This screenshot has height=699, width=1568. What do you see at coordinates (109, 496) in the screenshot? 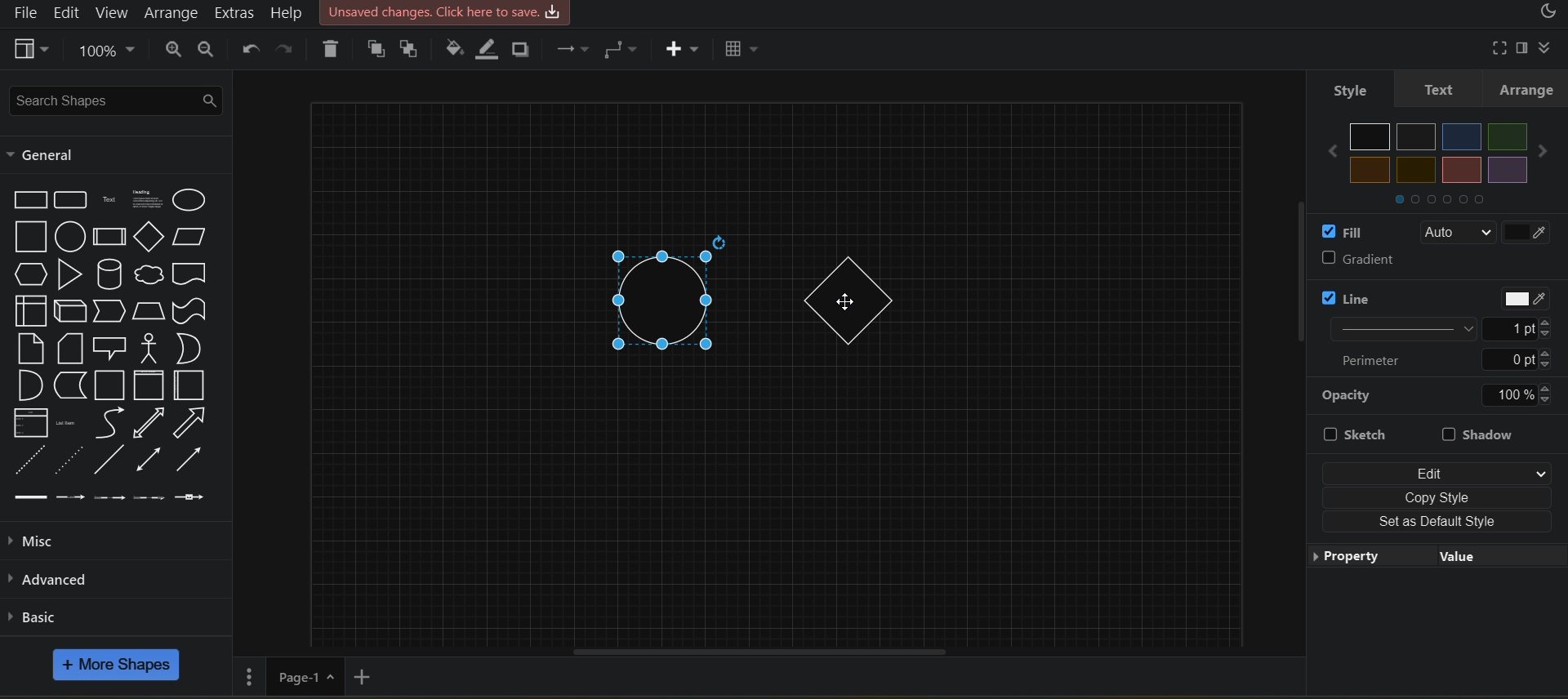
I see `Connector with 2 labels` at bounding box center [109, 496].